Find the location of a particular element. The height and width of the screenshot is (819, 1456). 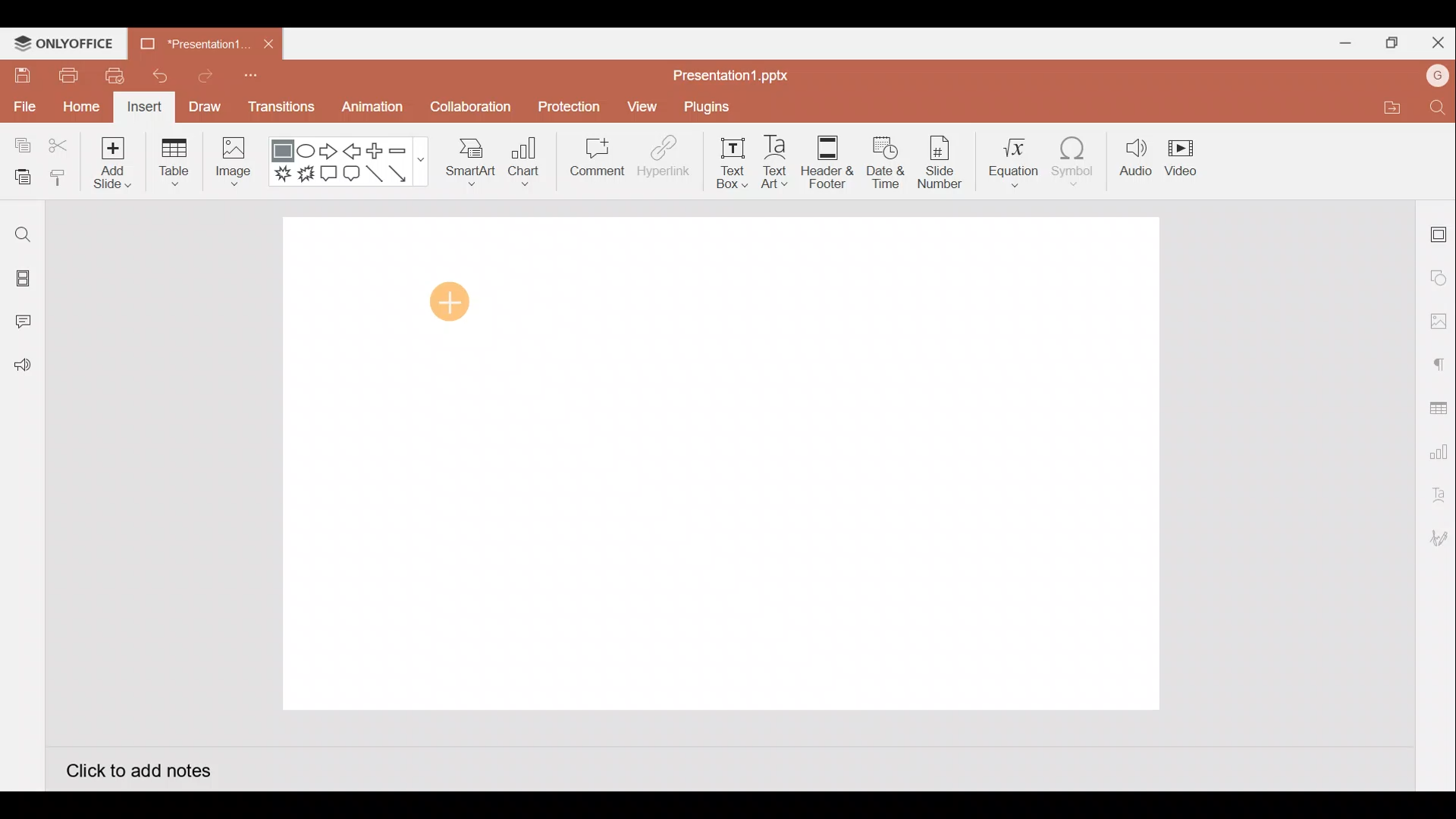

Quick print is located at coordinates (110, 76).